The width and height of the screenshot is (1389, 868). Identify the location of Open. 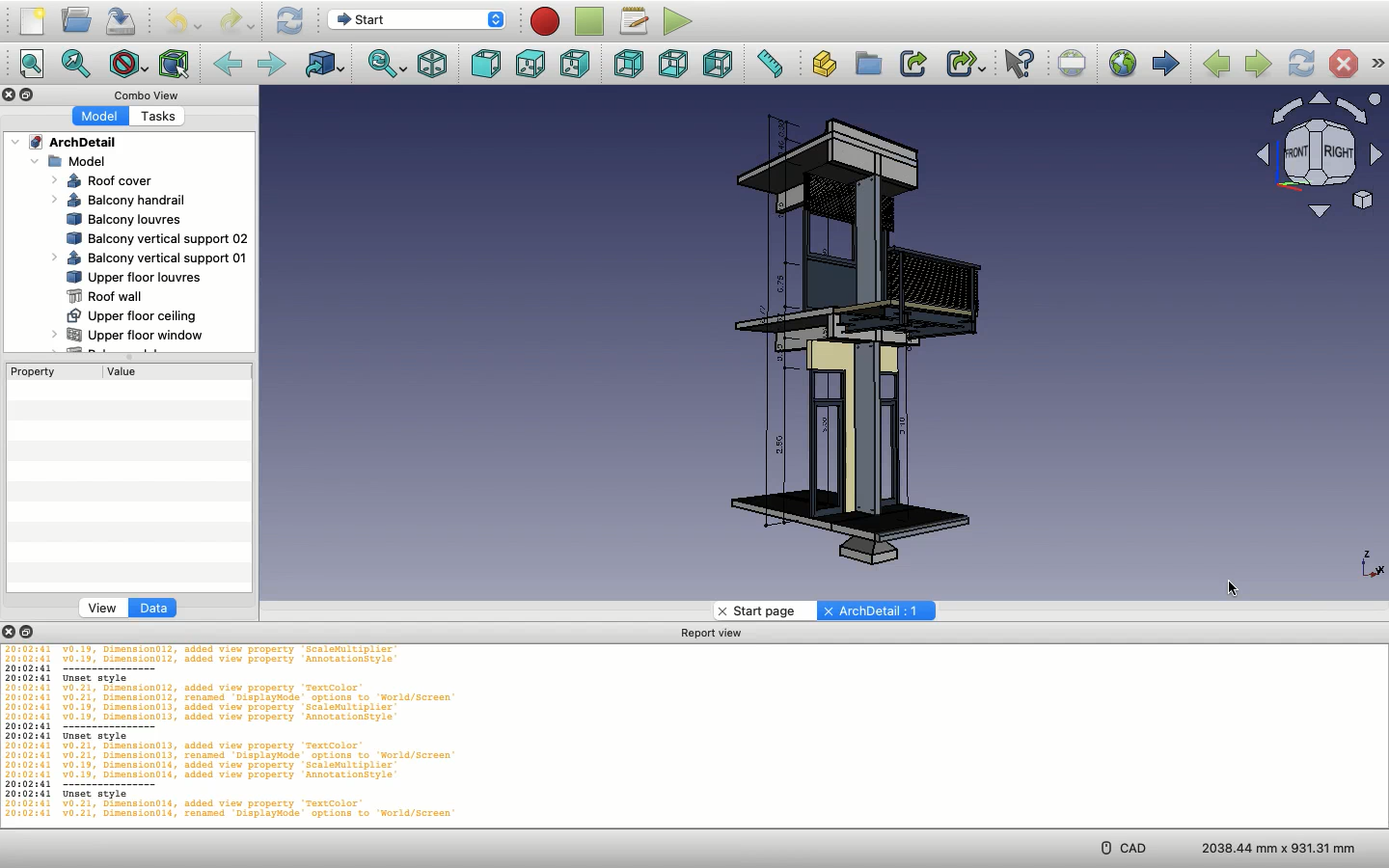
(77, 19).